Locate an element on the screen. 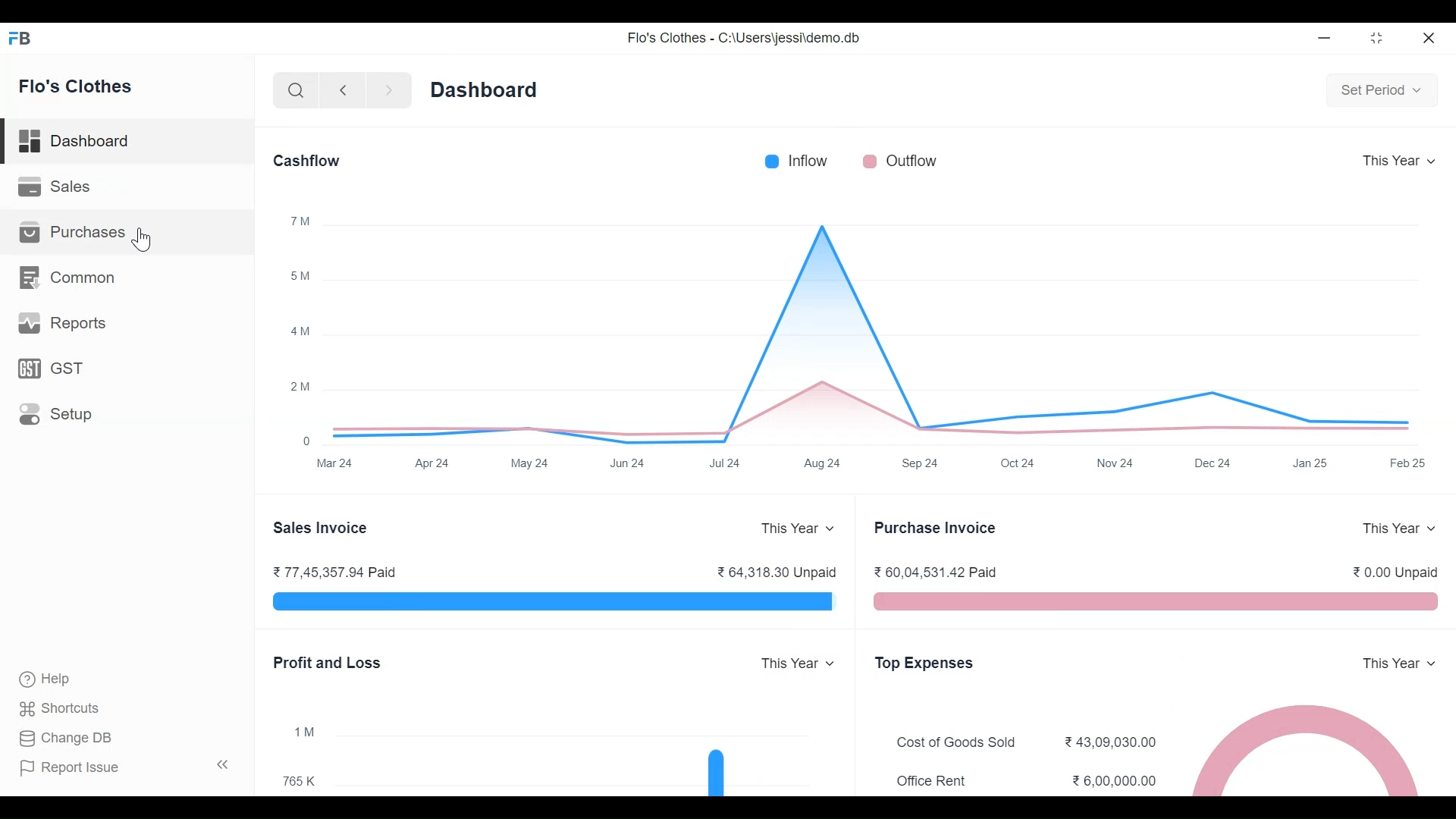 This screenshot has width=1456, height=819. 6,00,000.00 is located at coordinates (1115, 781).